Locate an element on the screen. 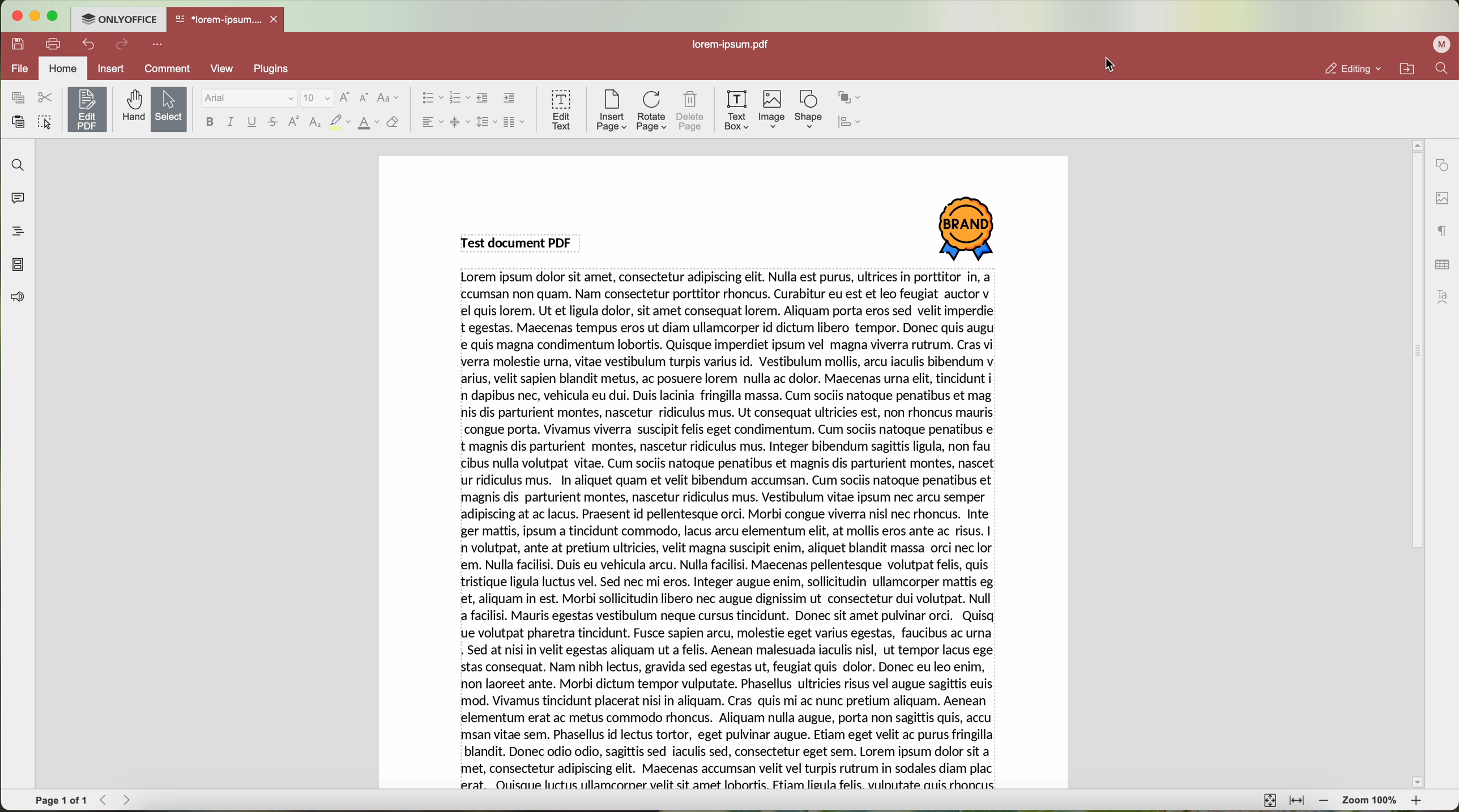 The height and width of the screenshot is (812, 1459). profile is located at coordinates (1444, 44).